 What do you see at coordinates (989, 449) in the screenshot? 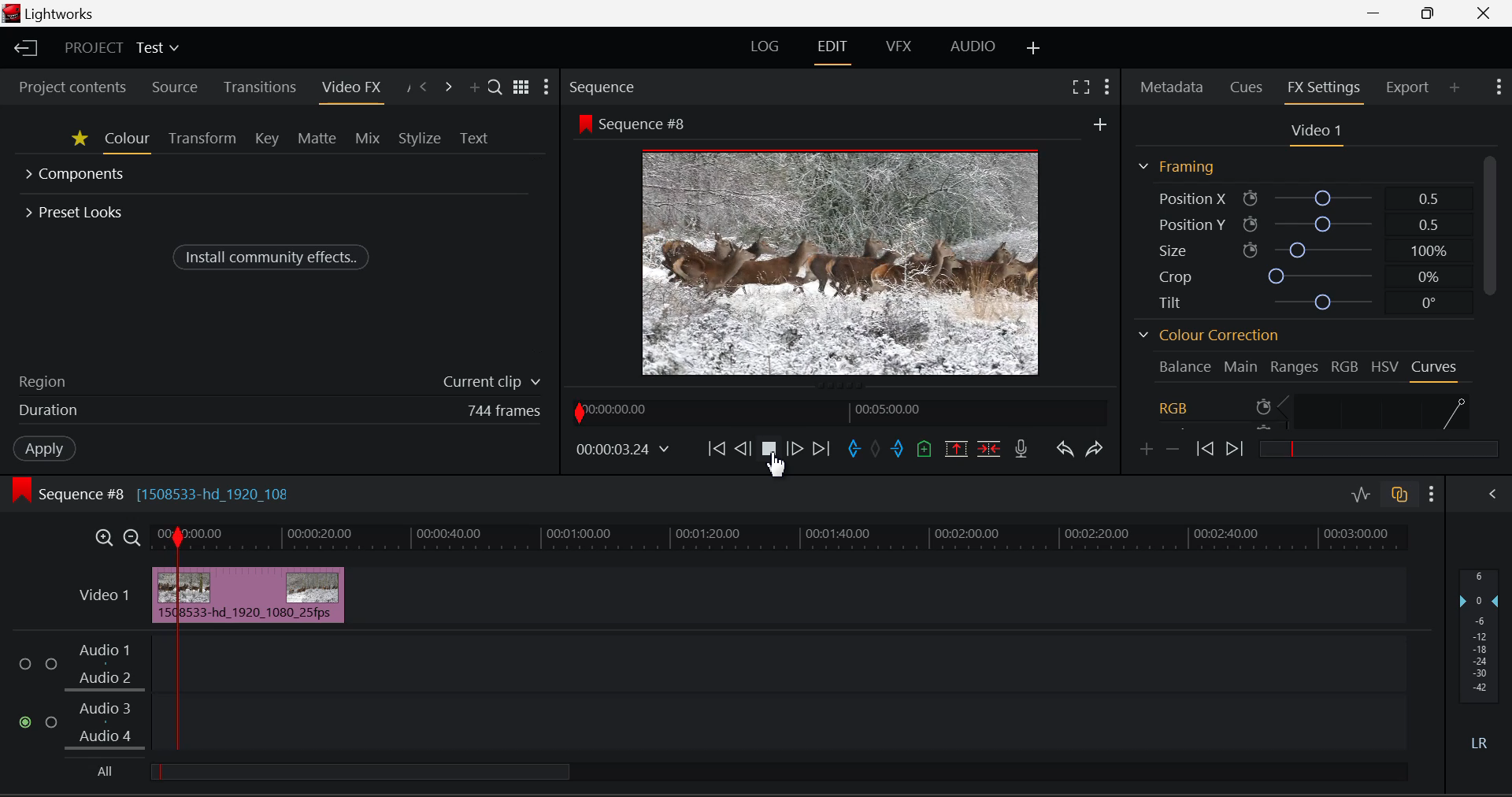
I see `Delete/Cut` at bounding box center [989, 449].